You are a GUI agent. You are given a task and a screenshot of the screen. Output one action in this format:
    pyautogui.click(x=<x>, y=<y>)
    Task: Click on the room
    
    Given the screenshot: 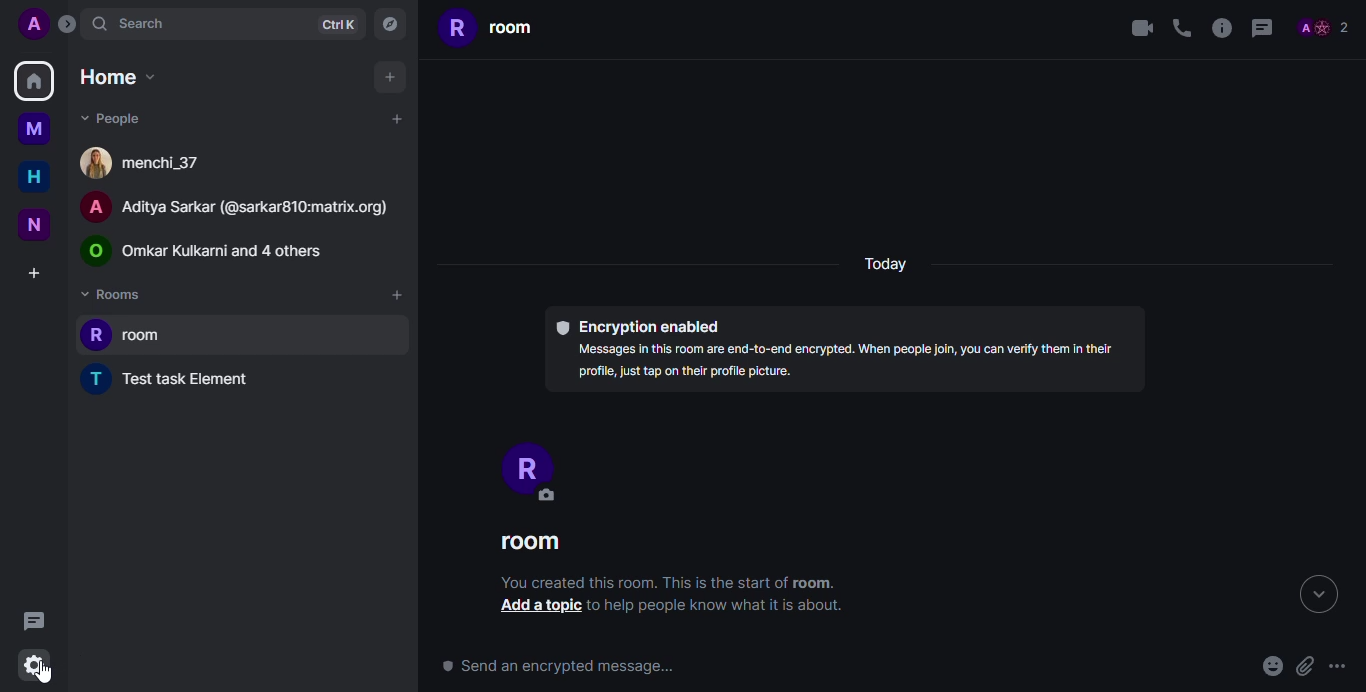 What is the action you would take?
    pyautogui.click(x=127, y=336)
    